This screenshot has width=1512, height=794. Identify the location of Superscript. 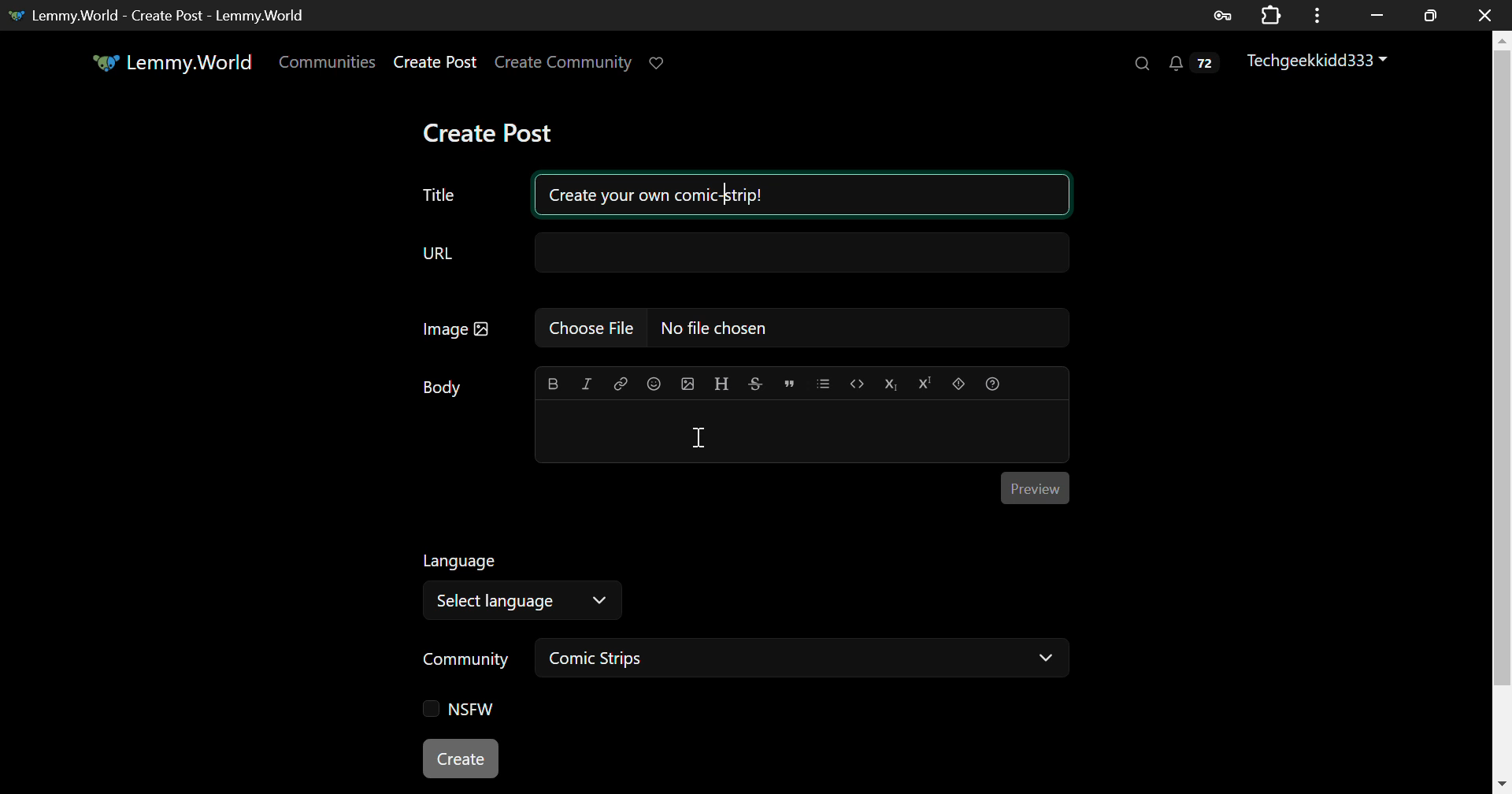
(925, 385).